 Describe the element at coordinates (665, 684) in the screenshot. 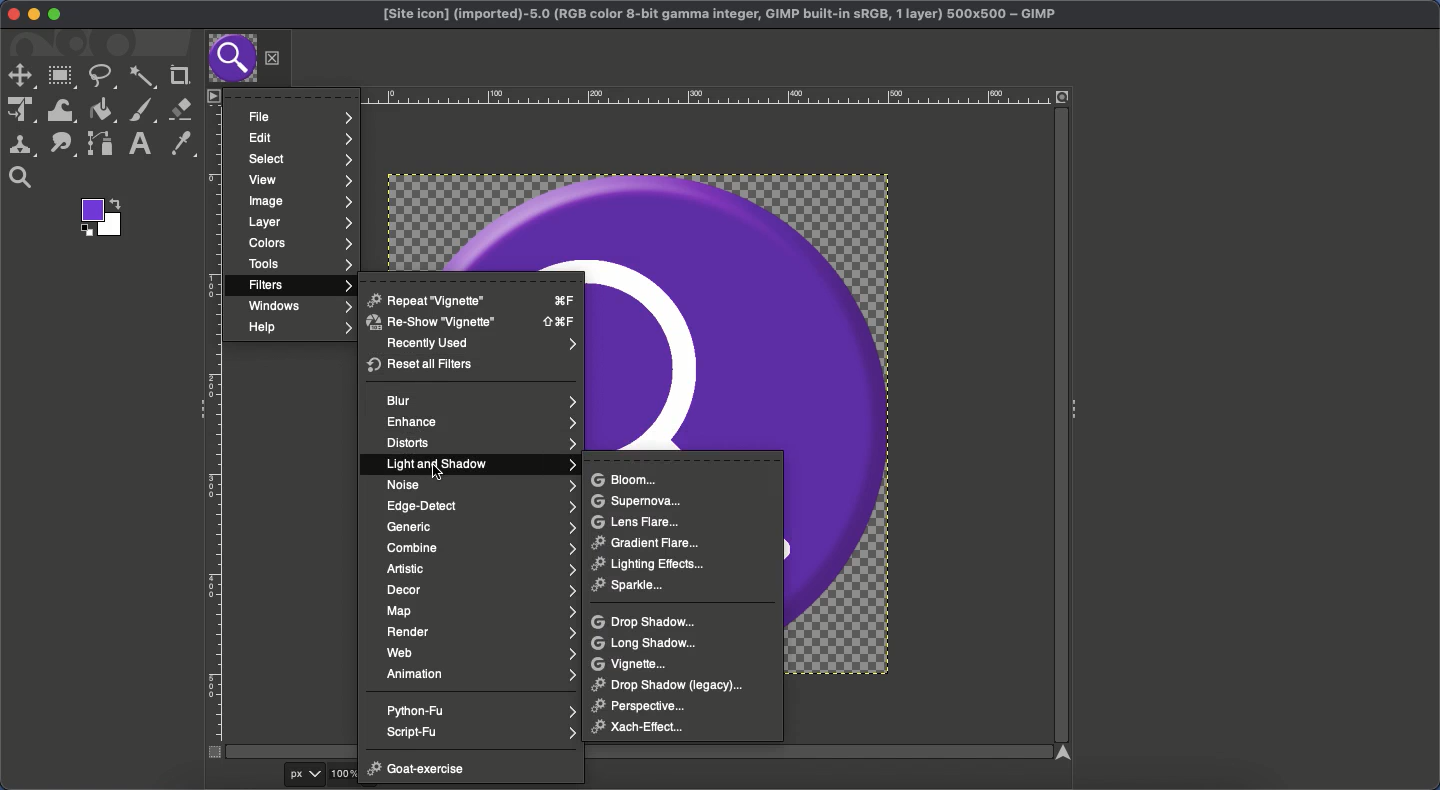

I see `Drop shadow` at that location.